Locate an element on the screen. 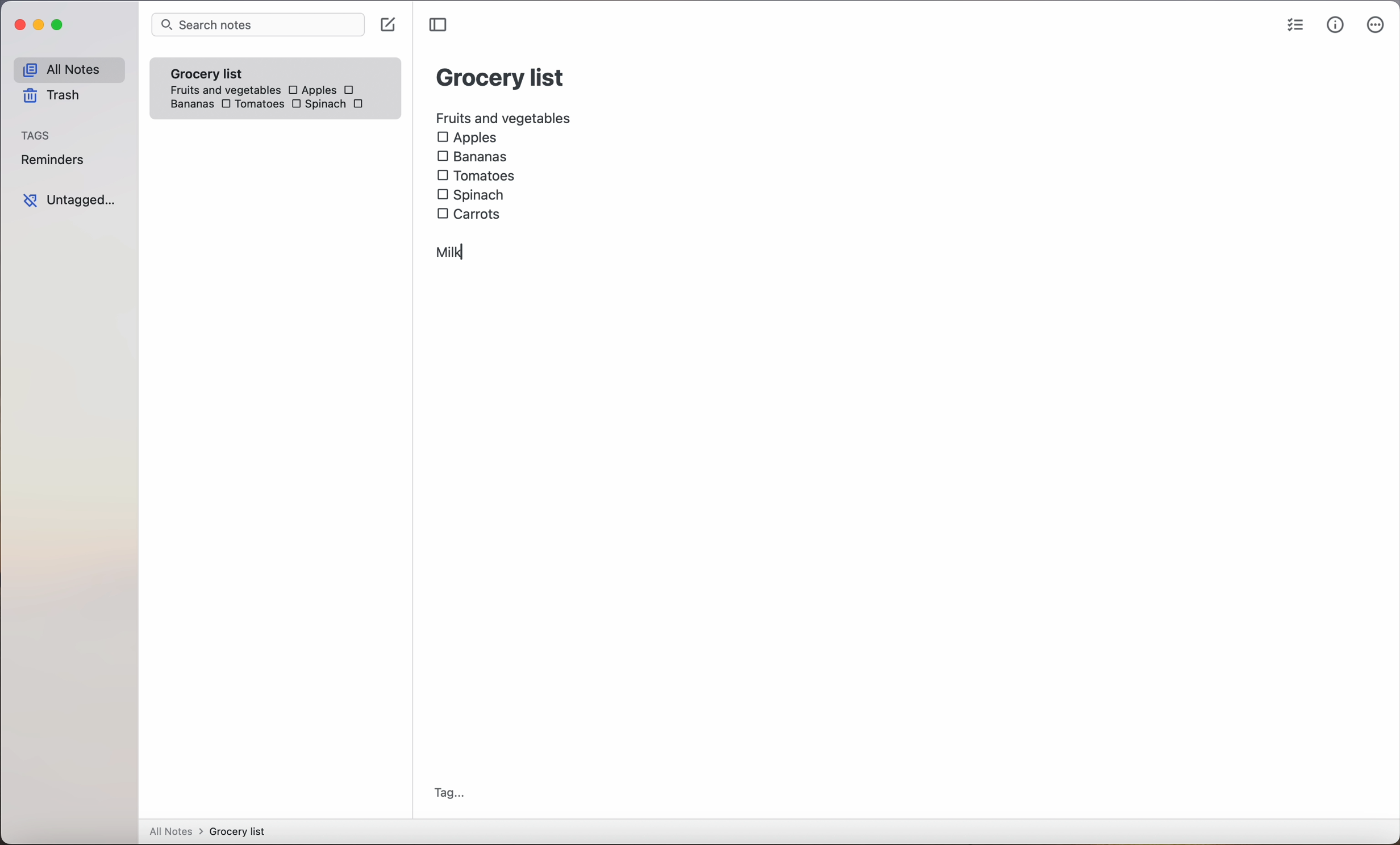 The width and height of the screenshot is (1400, 845). tags is located at coordinates (37, 136).